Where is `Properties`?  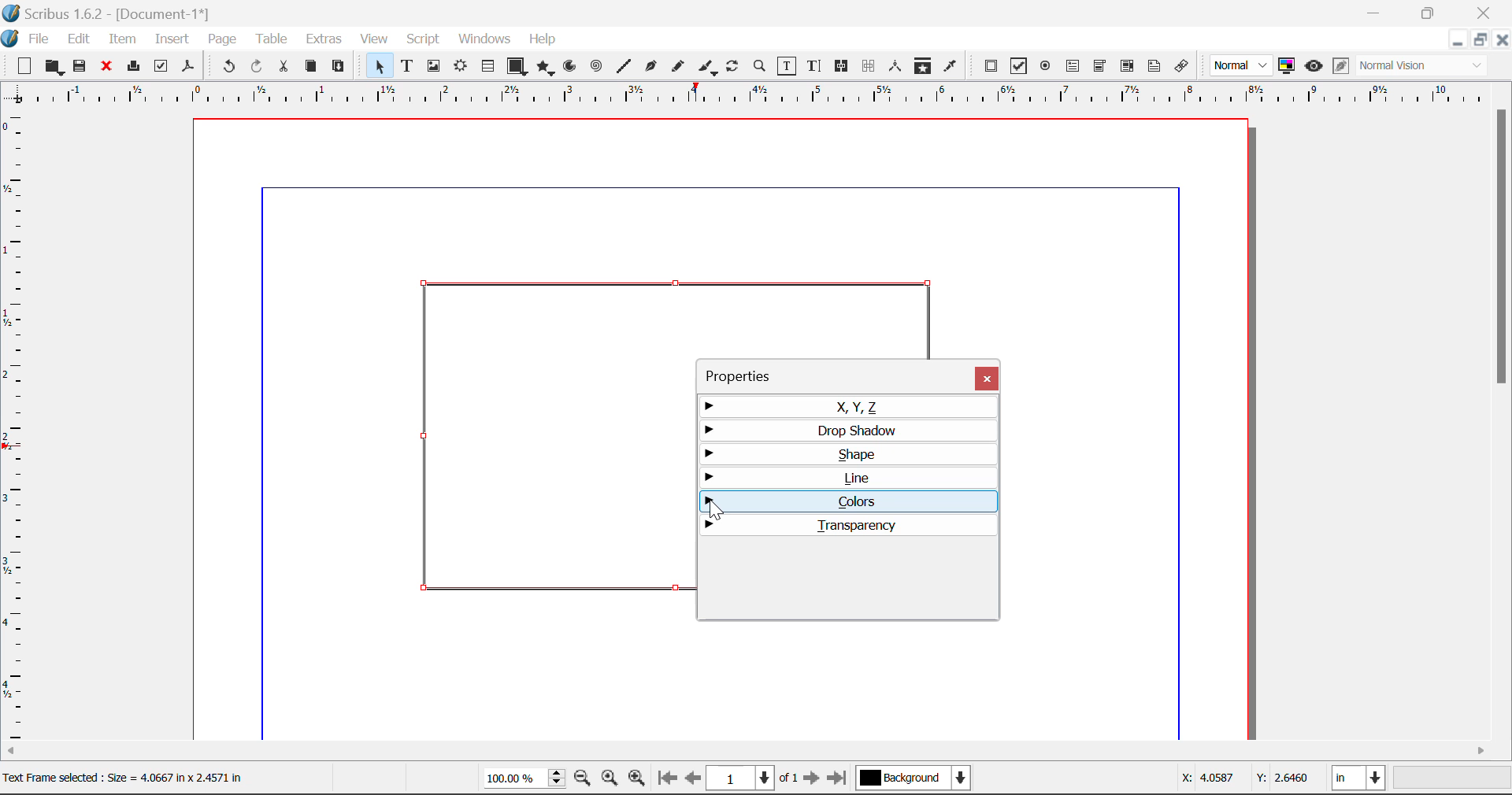
Properties is located at coordinates (748, 374).